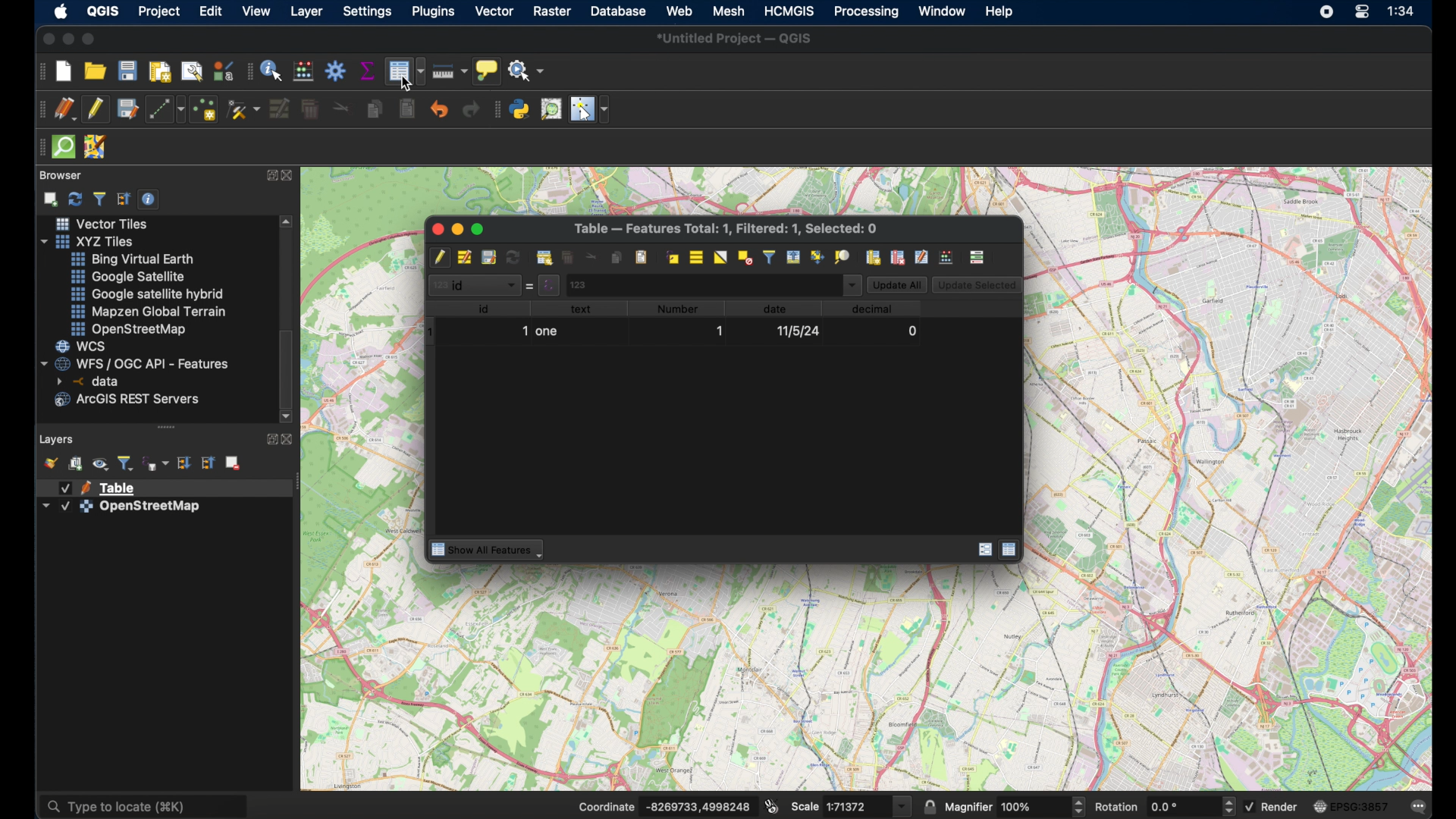 This screenshot has height=819, width=1456. Describe the element at coordinates (568, 256) in the screenshot. I see `delet selected` at that location.